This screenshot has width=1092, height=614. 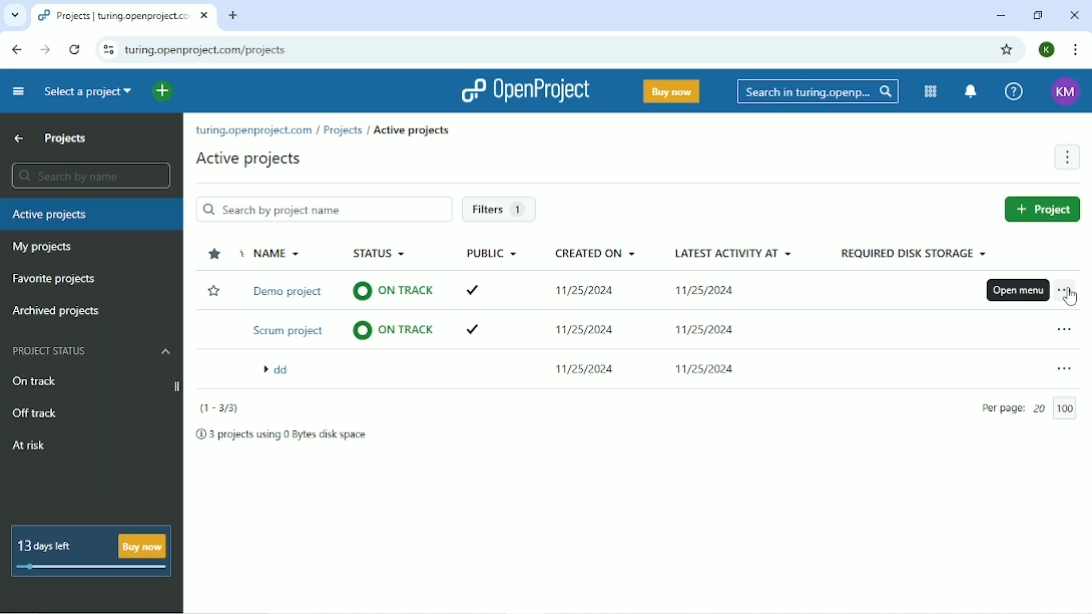 I want to click on New project, so click(x=1040, y=208).